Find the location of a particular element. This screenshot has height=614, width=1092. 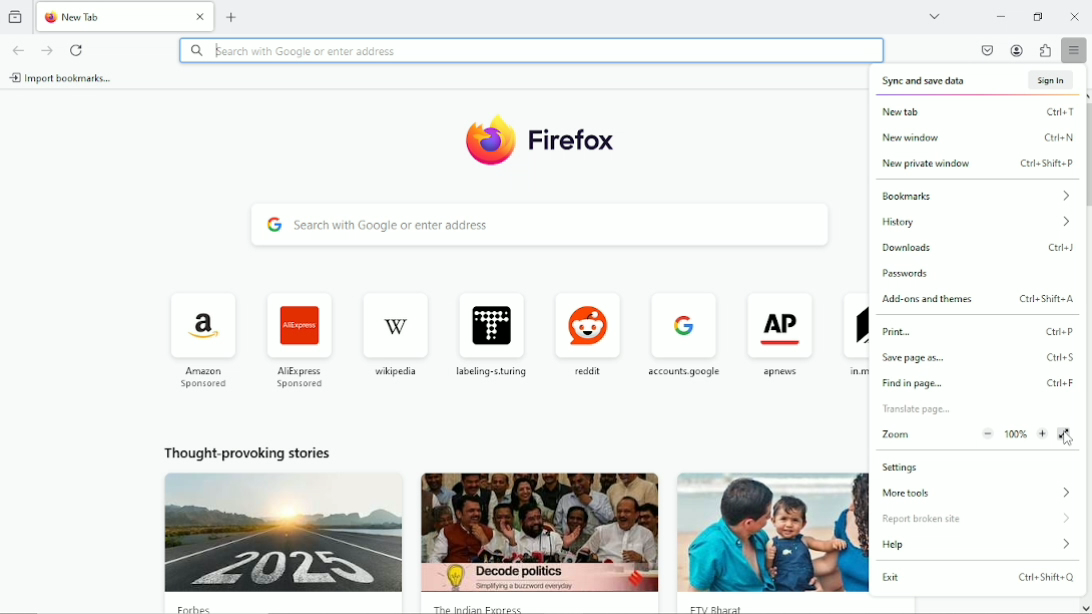

view recent browsing is located at coordinates (16, 16).